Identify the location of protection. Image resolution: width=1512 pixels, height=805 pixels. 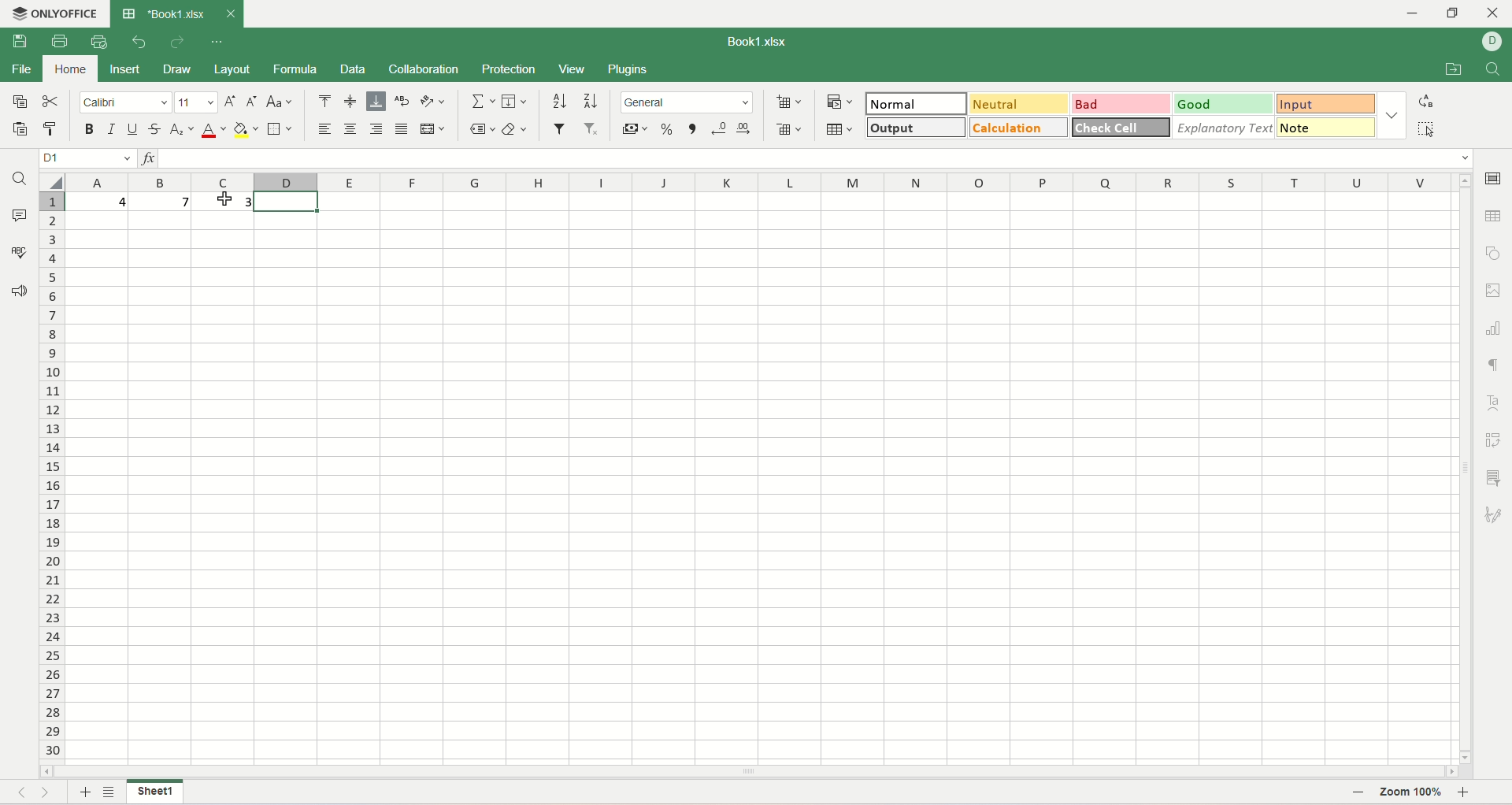
(507, 69).